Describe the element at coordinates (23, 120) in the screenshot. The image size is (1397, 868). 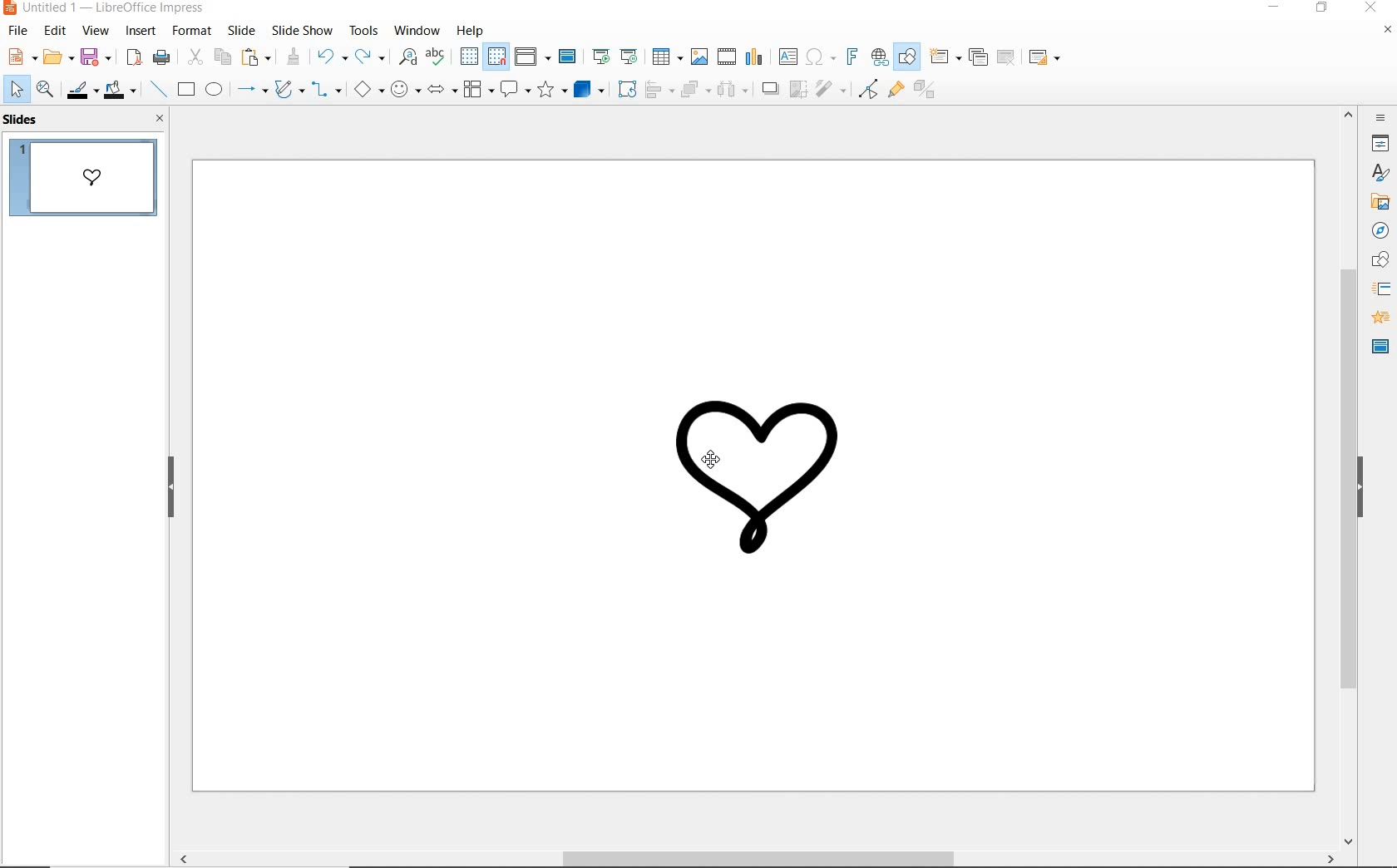
I see `SLIDES` at that location.